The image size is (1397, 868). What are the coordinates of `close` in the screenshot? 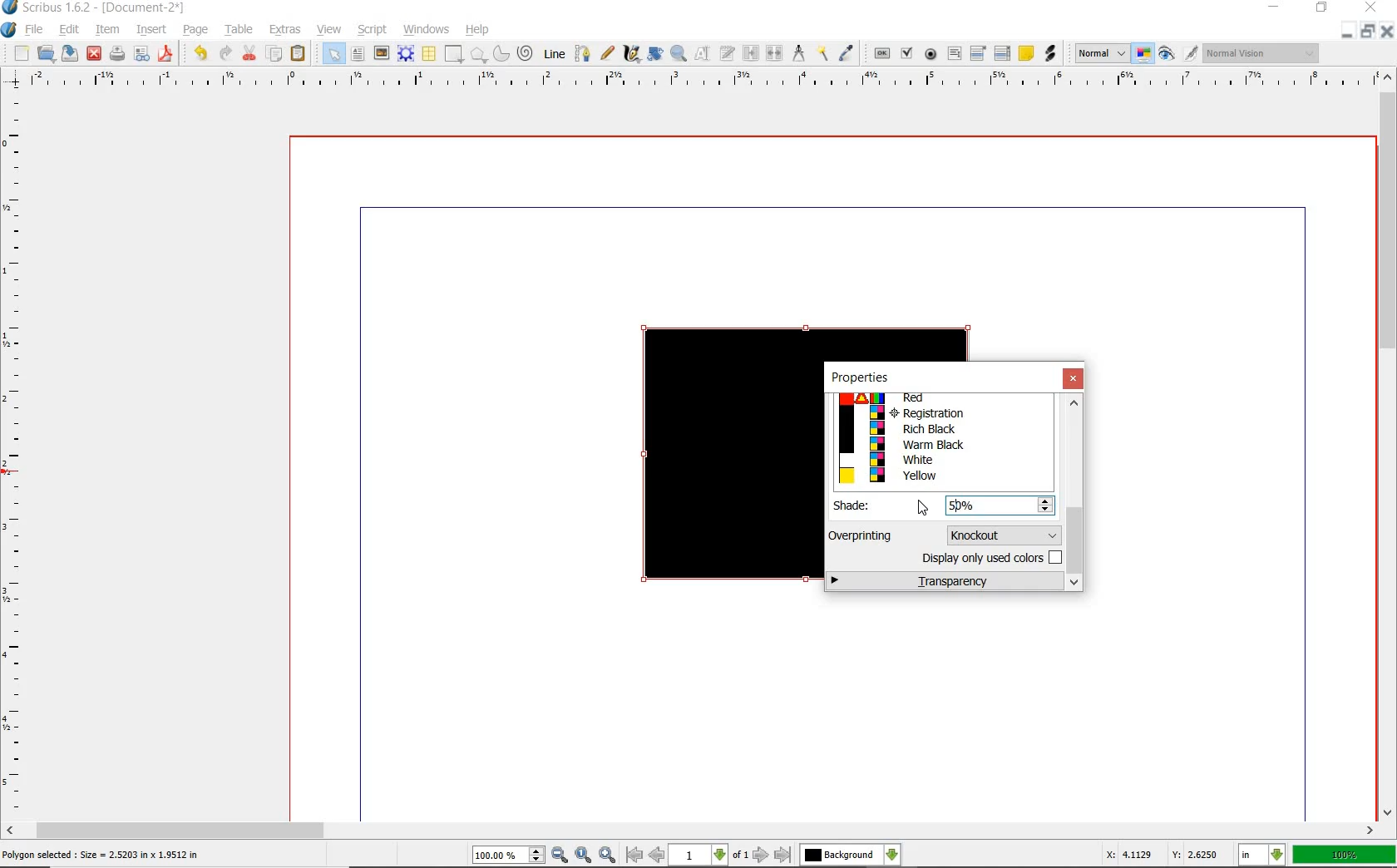 It's located at (1074, 379).